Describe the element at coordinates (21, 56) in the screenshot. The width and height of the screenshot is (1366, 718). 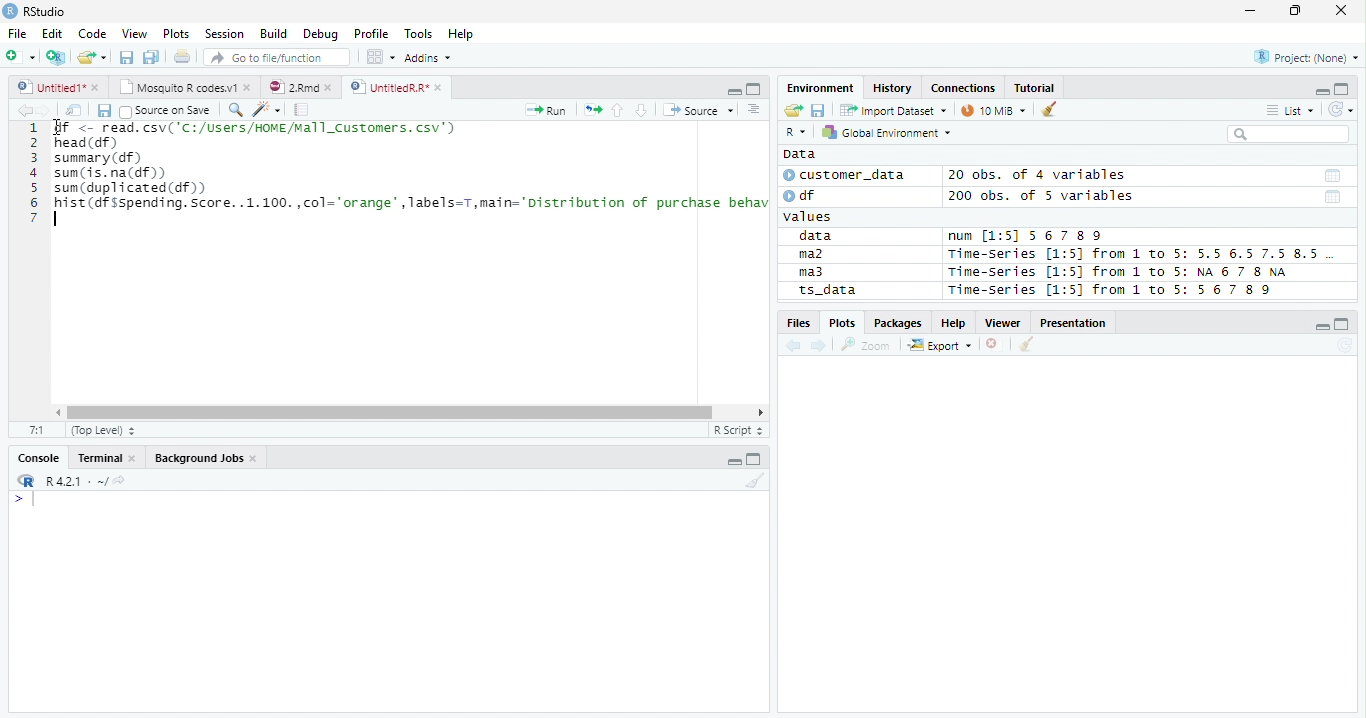
I see `New File` at that location.